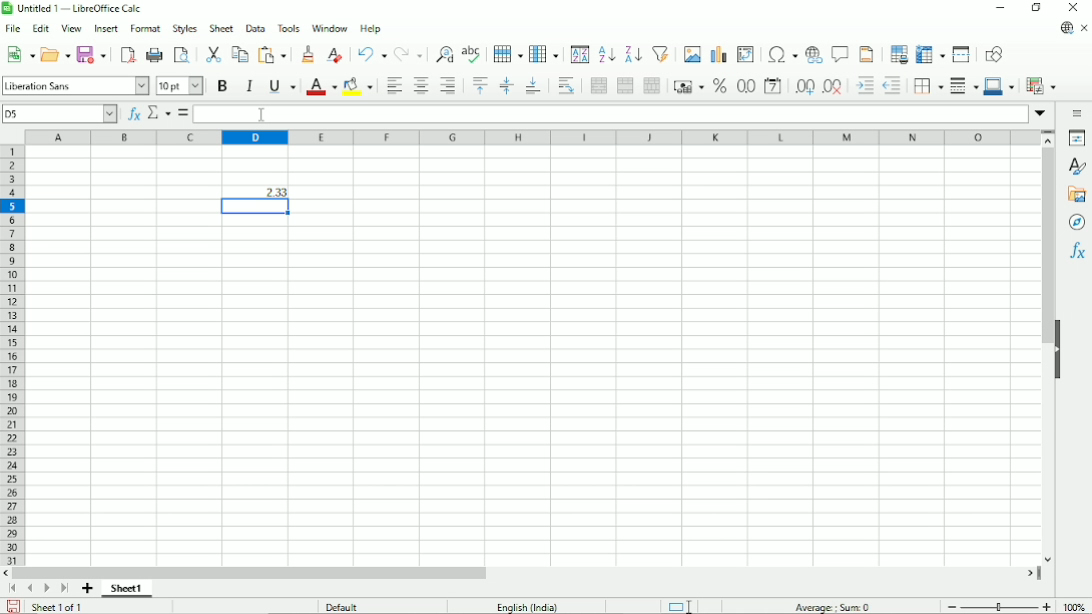 The width and height of the screenshot is (1092, 614). I want to click on Scroll to last sheet, so click(65, 588).